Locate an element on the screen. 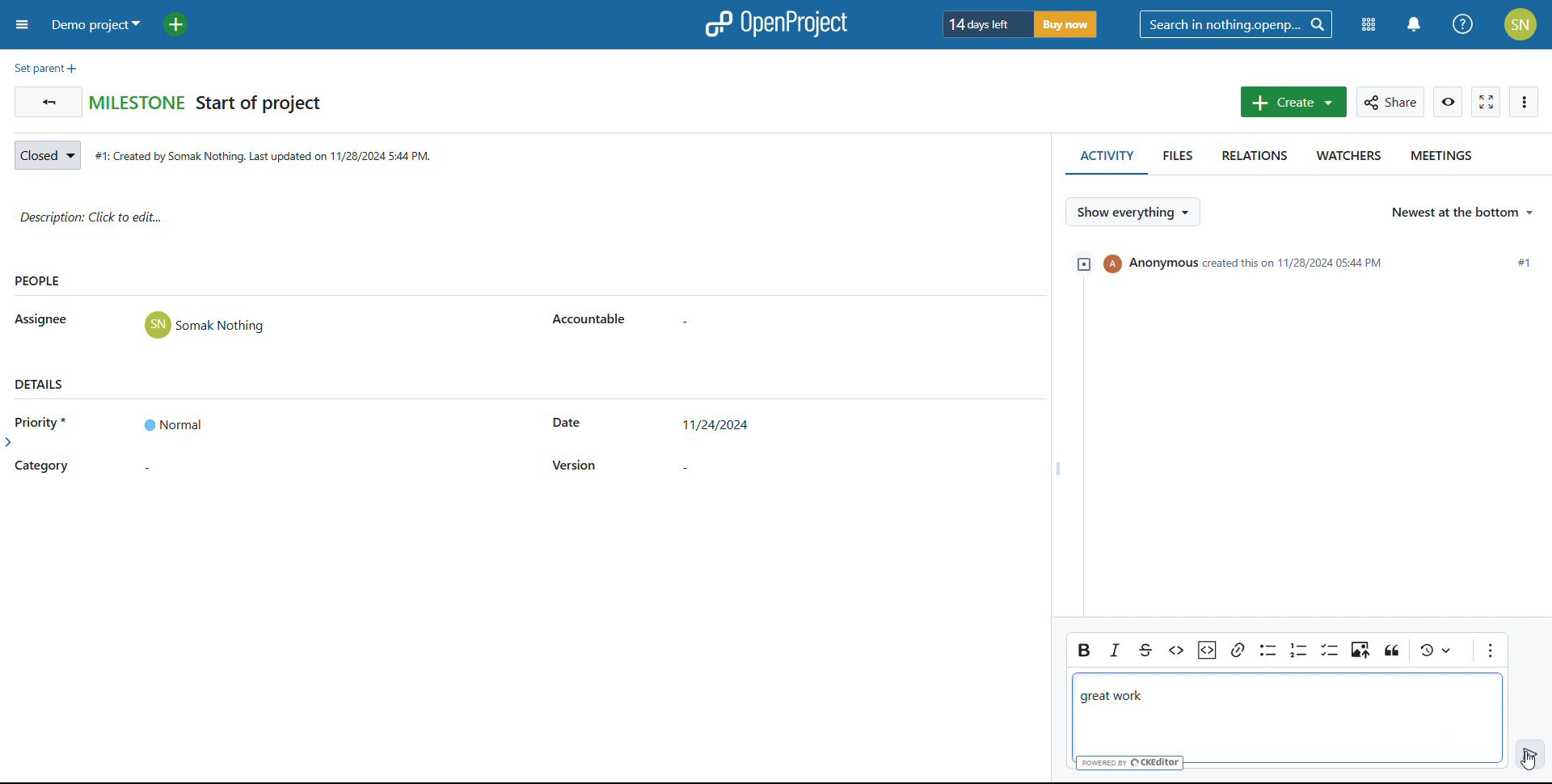 The image size is (1552, 784). description: click to add edit is located at coordinates (525, 220).